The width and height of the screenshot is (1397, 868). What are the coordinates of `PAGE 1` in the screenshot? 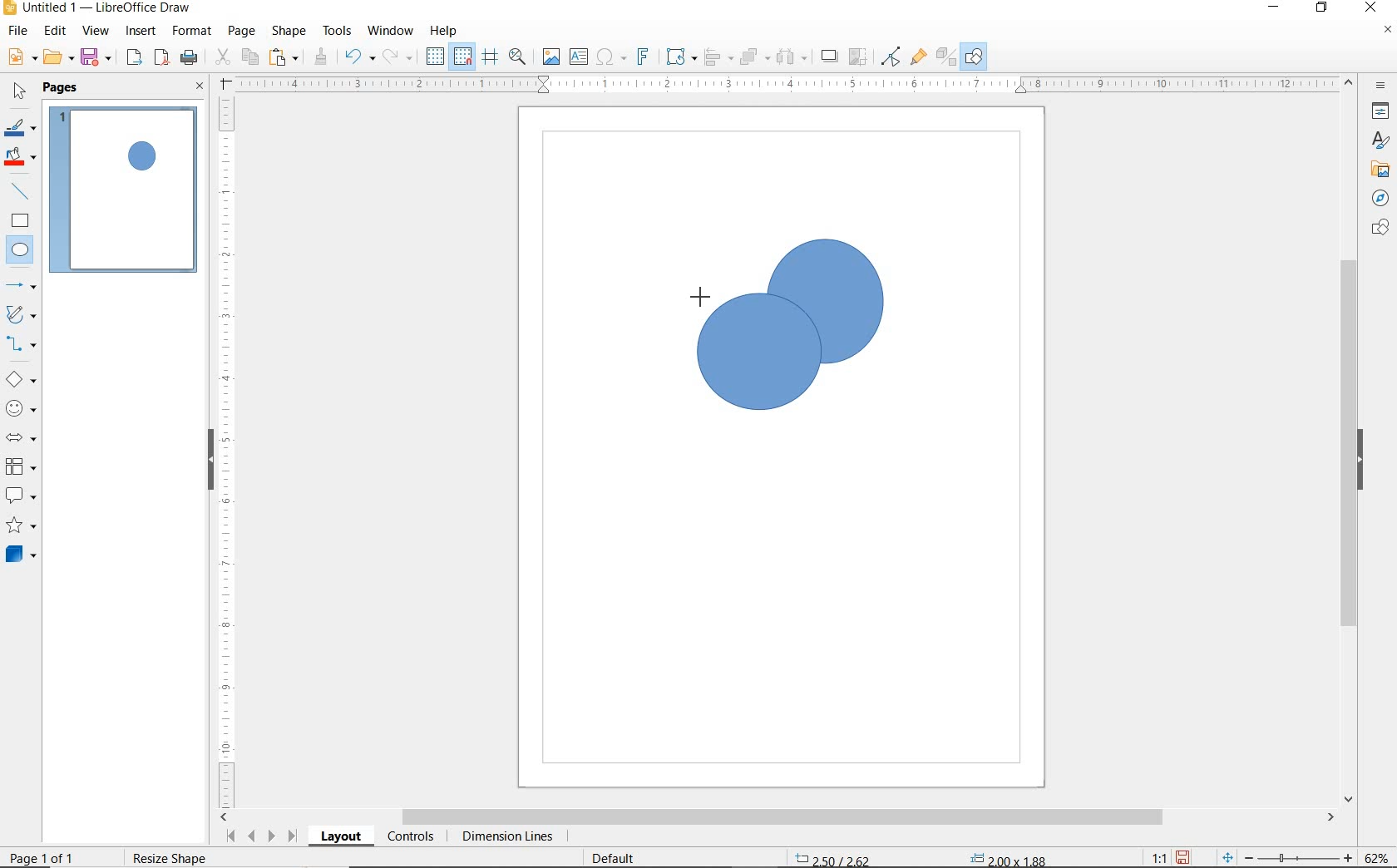 It's located at (124, 195).